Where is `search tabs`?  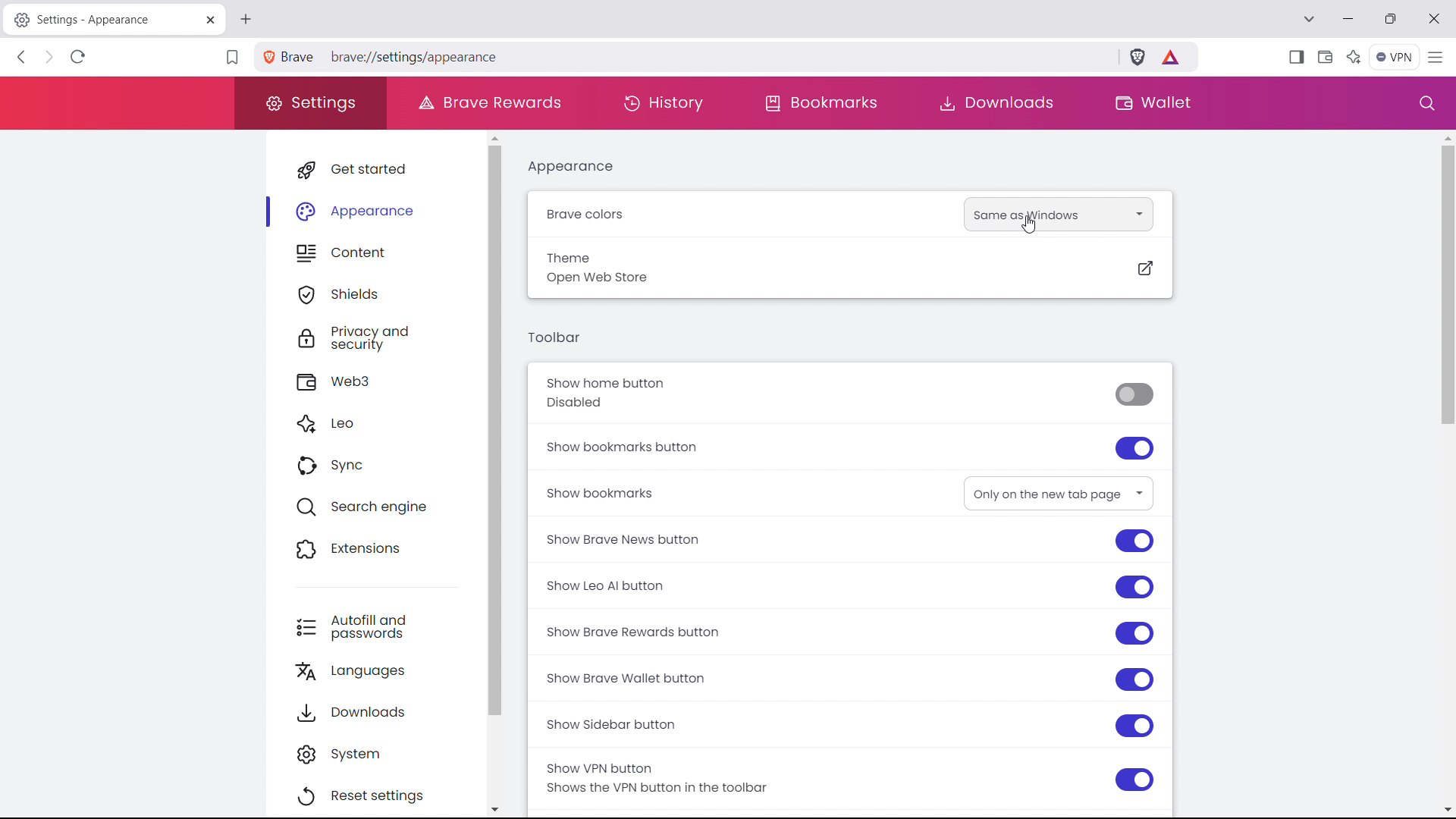 search tabs is located at coordinates (1310, 19).